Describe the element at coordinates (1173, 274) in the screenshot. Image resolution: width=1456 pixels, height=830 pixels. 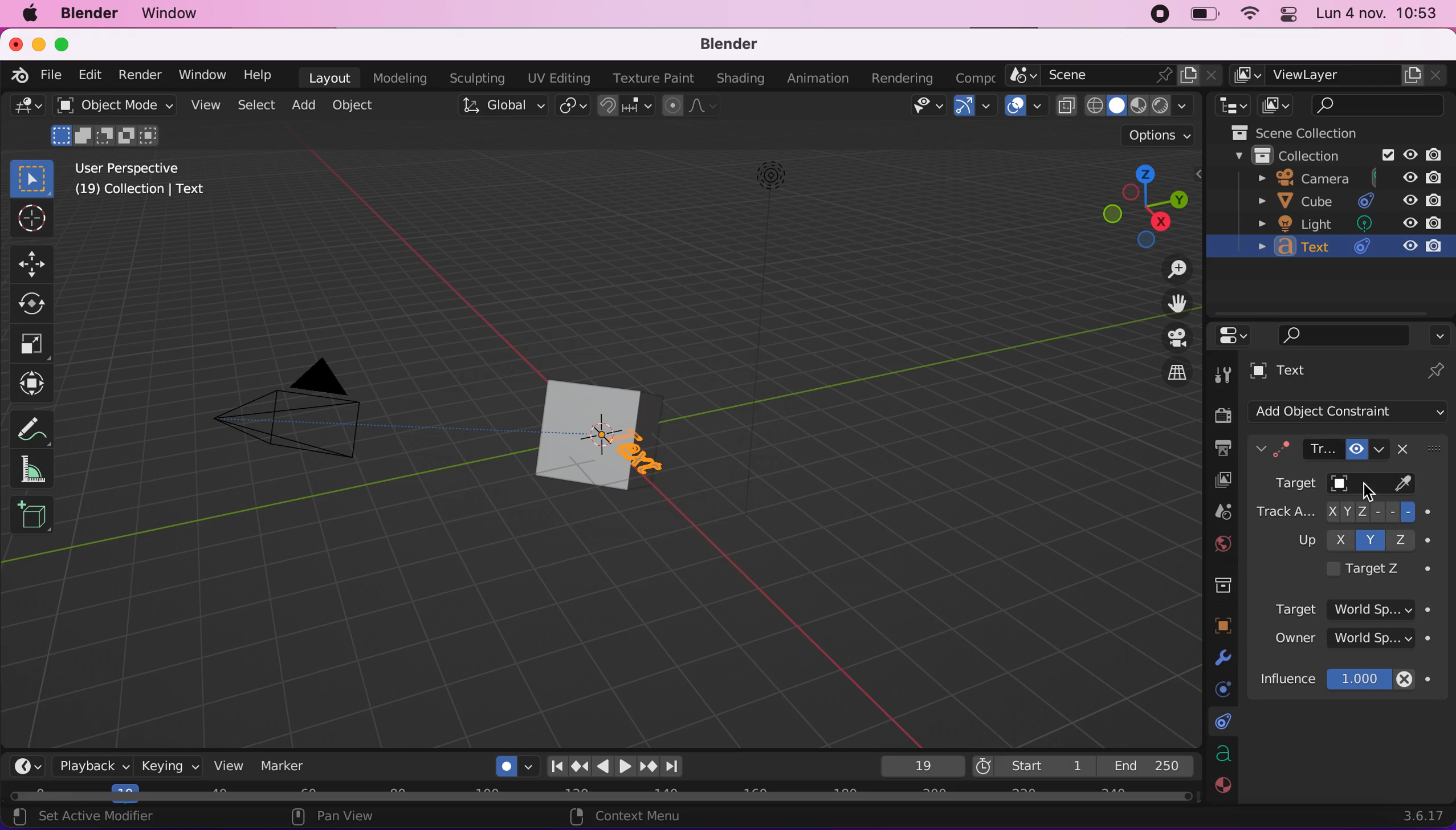
I see `zoom in/out` at that location.